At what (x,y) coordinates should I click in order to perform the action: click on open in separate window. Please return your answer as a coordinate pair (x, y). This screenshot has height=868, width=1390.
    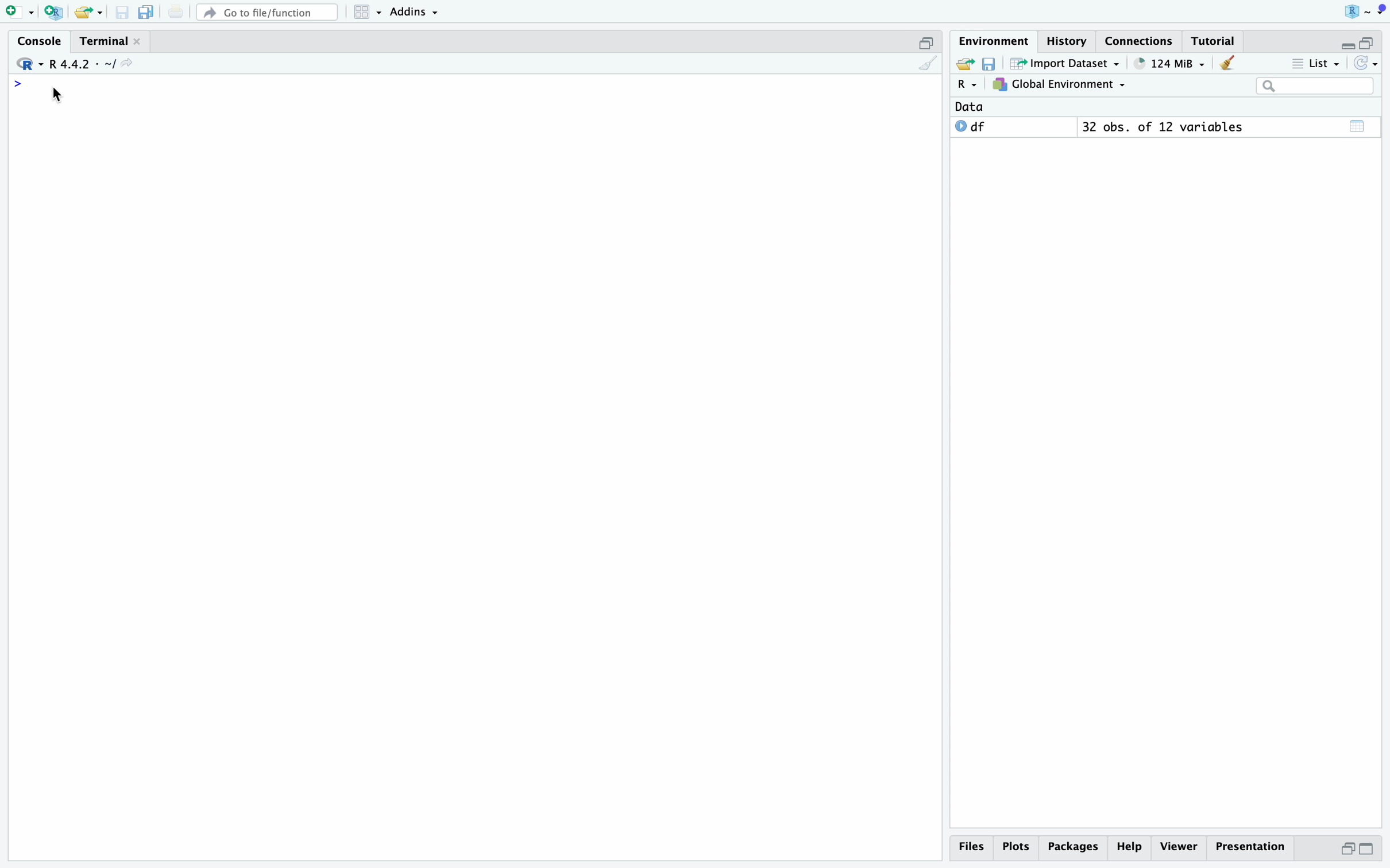
    Looking at the image, I should click on (1347, 849).